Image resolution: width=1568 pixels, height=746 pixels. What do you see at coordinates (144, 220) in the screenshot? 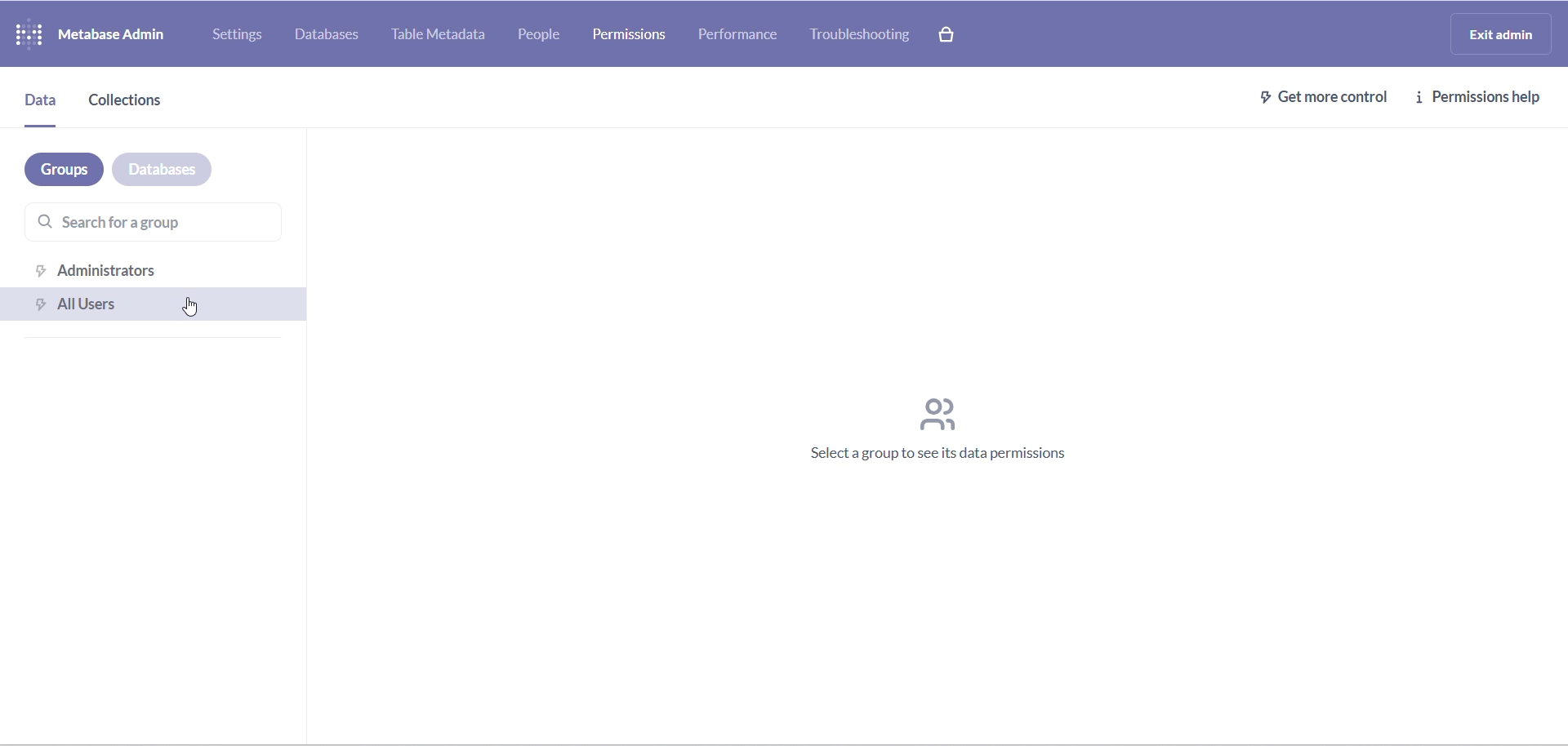
I see `search for a group` at bounding box center [144, 220].